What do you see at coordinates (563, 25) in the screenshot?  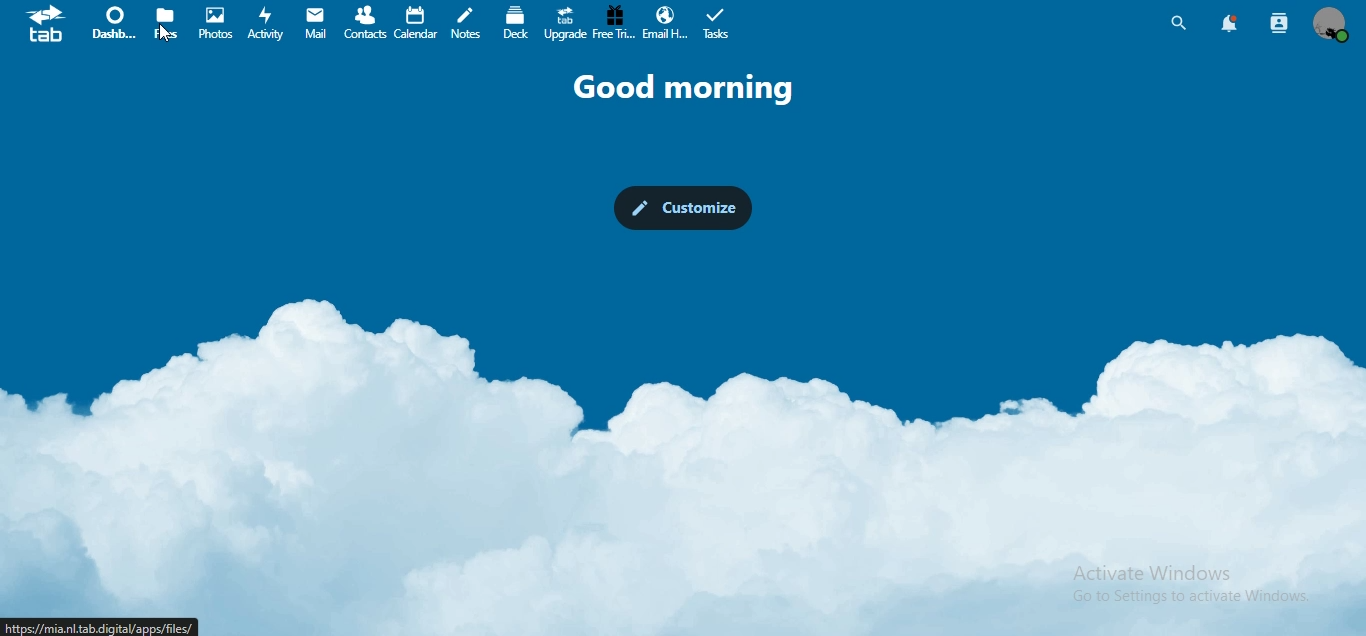 I see `upgrade` at bounding box center [563, 25].